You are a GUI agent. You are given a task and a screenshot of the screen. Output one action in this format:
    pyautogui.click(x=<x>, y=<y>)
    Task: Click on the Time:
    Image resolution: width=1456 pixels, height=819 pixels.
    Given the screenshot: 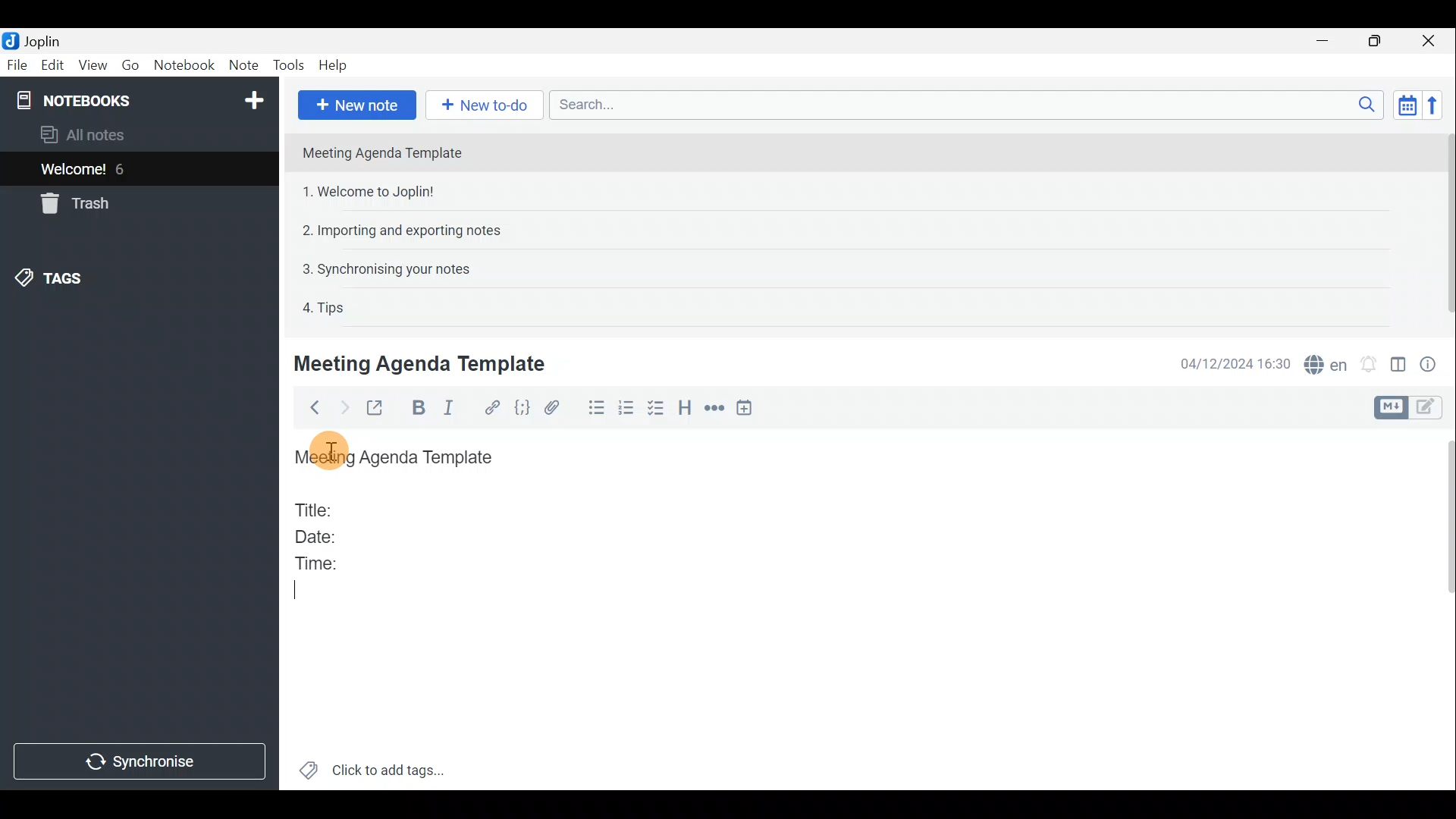 What is the action you would take?
    pyautogui.click(x=317, y=560)
    